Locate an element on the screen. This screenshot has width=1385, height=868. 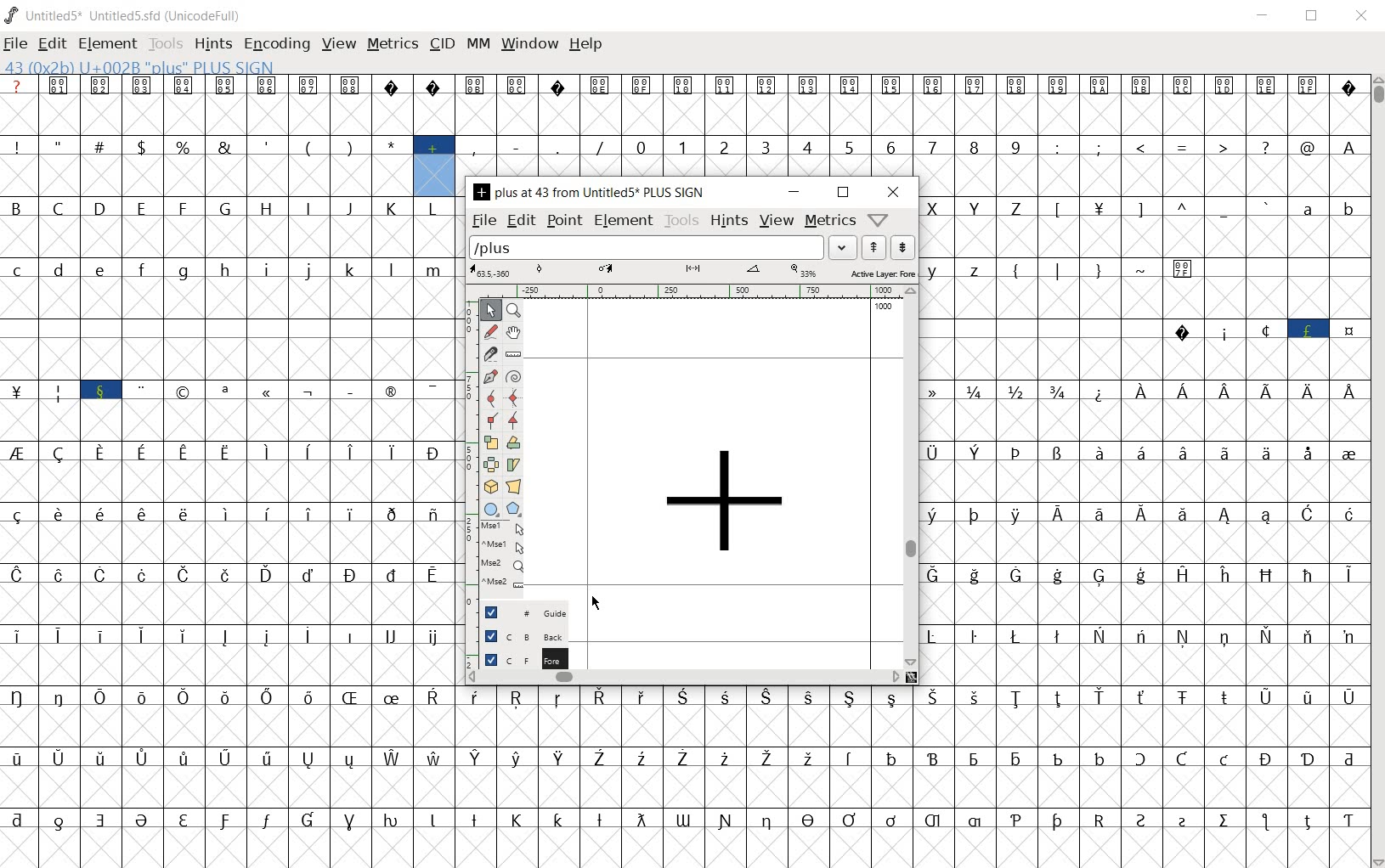
cut splines in two is located at coordinates (489, 355).